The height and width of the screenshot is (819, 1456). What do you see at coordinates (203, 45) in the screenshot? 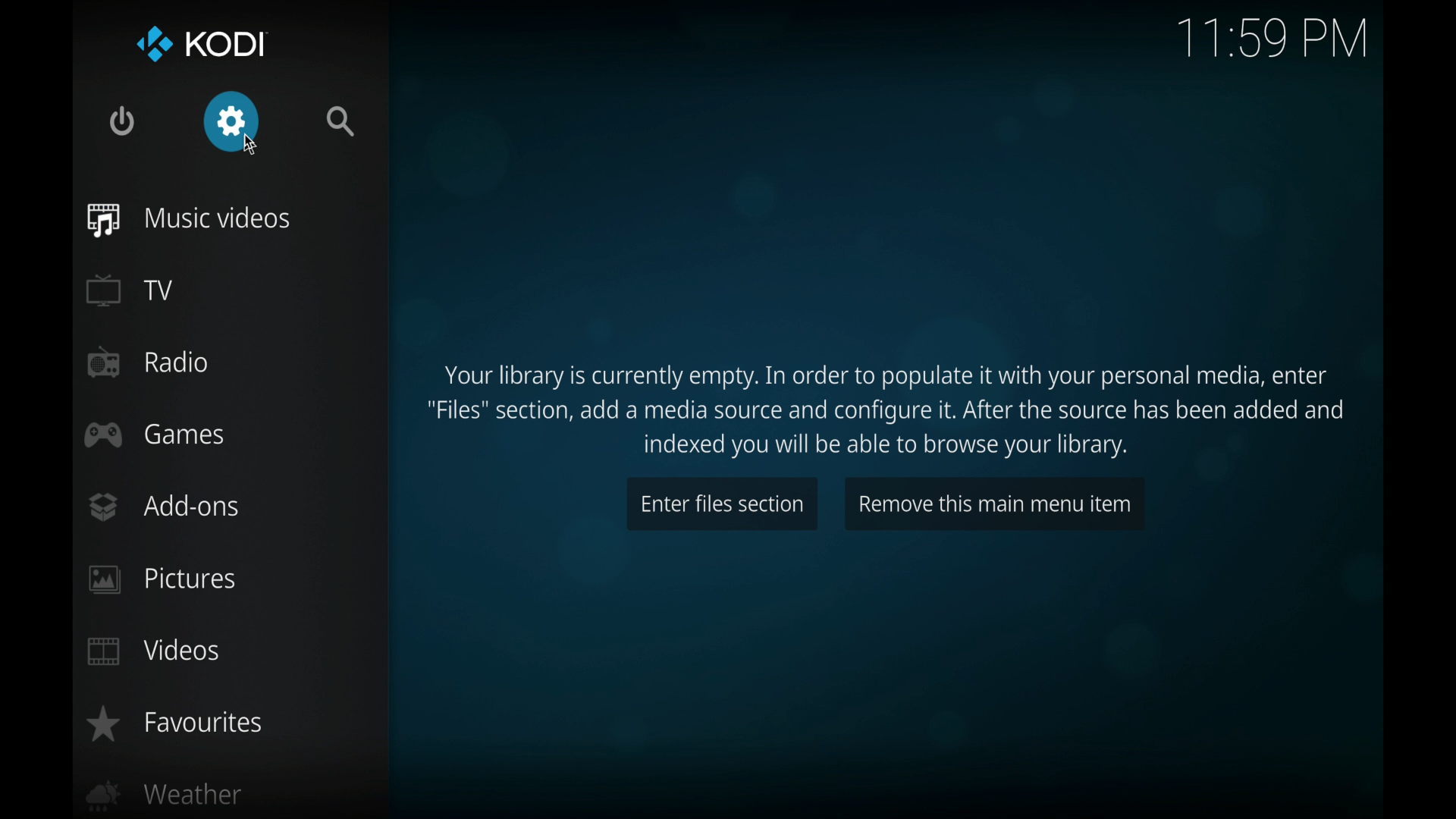
I see `kodi` at bounding box center [203, 45].